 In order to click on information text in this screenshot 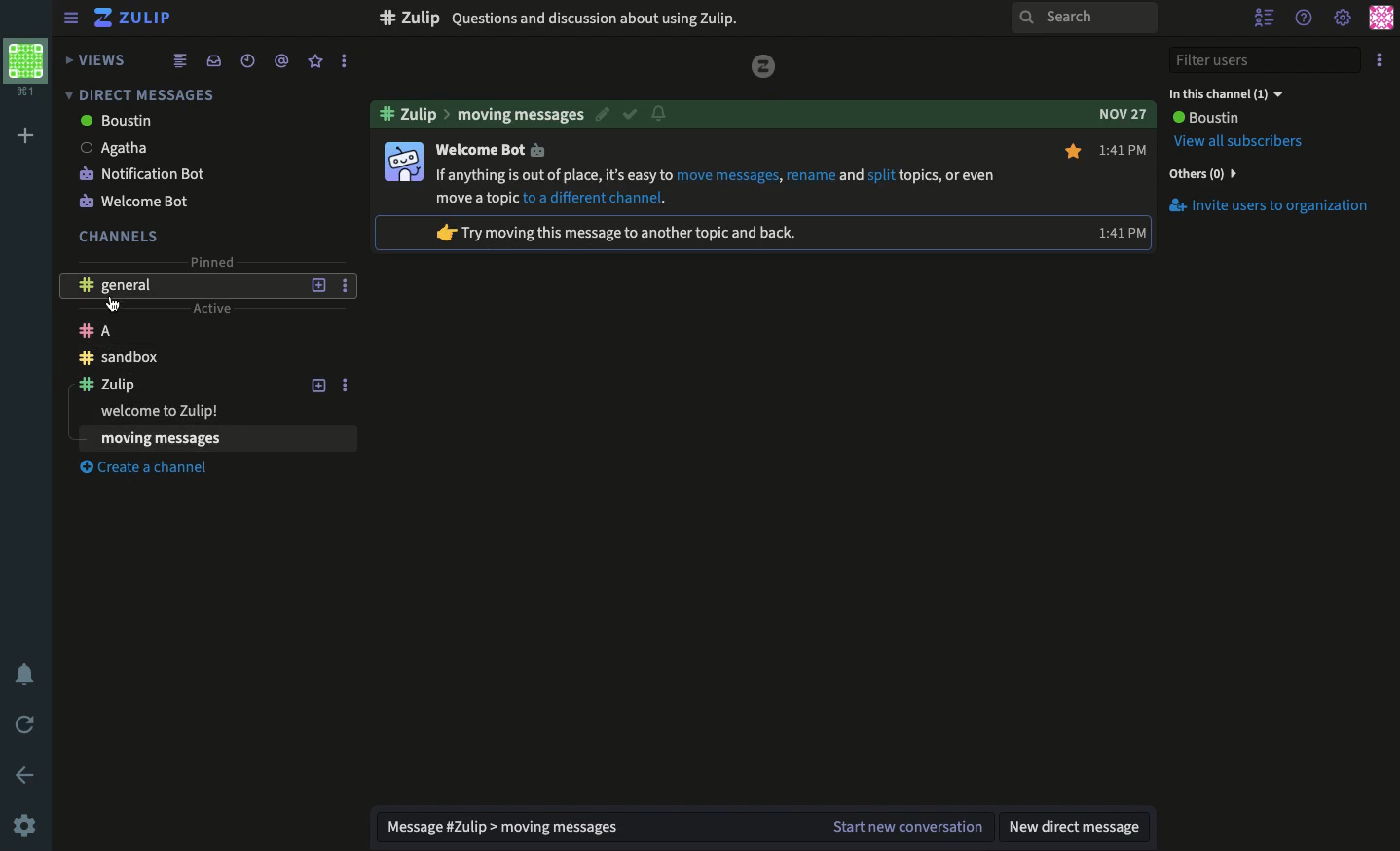, I will do `click(552, 174)`.